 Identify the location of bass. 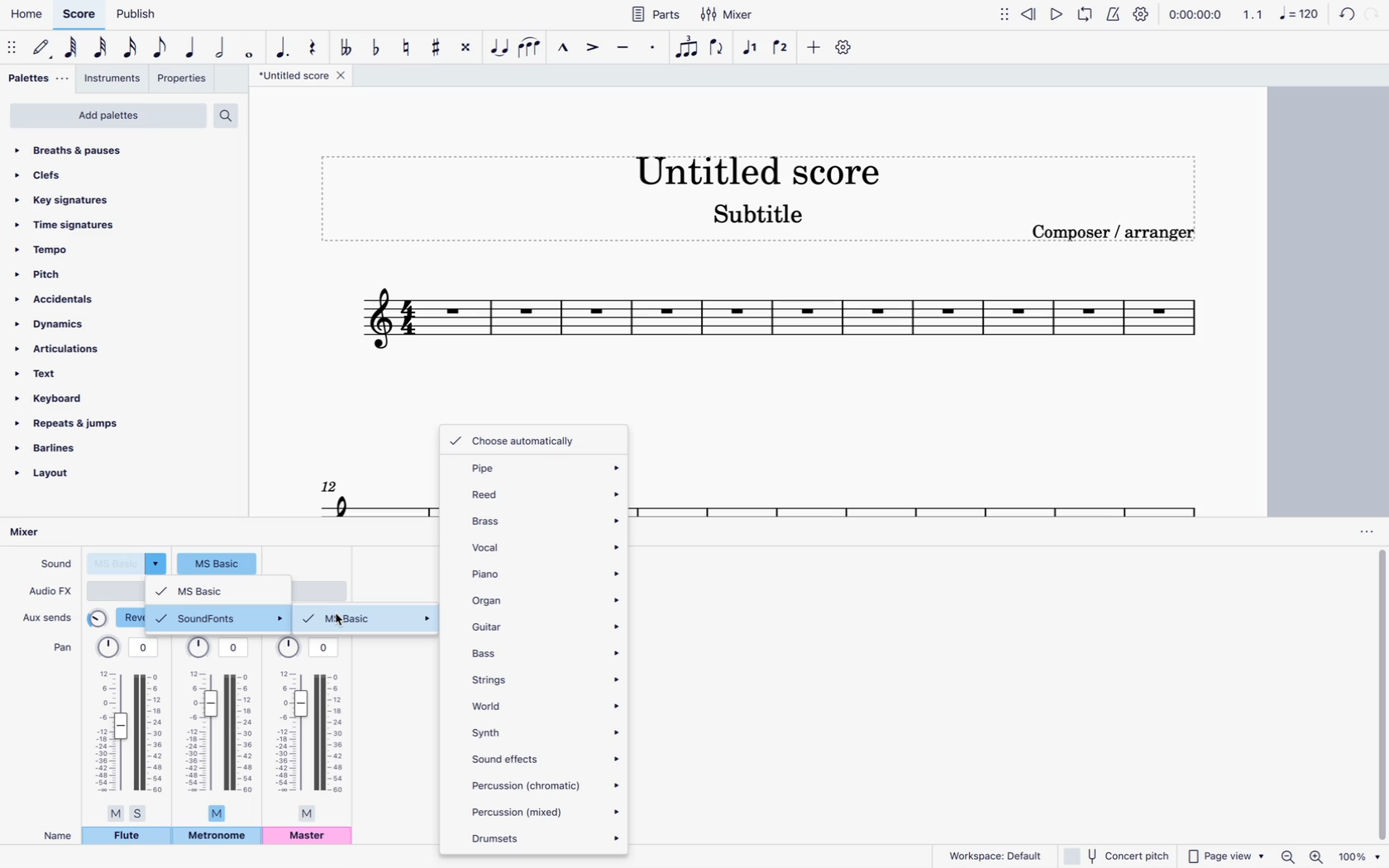
(544, 651).